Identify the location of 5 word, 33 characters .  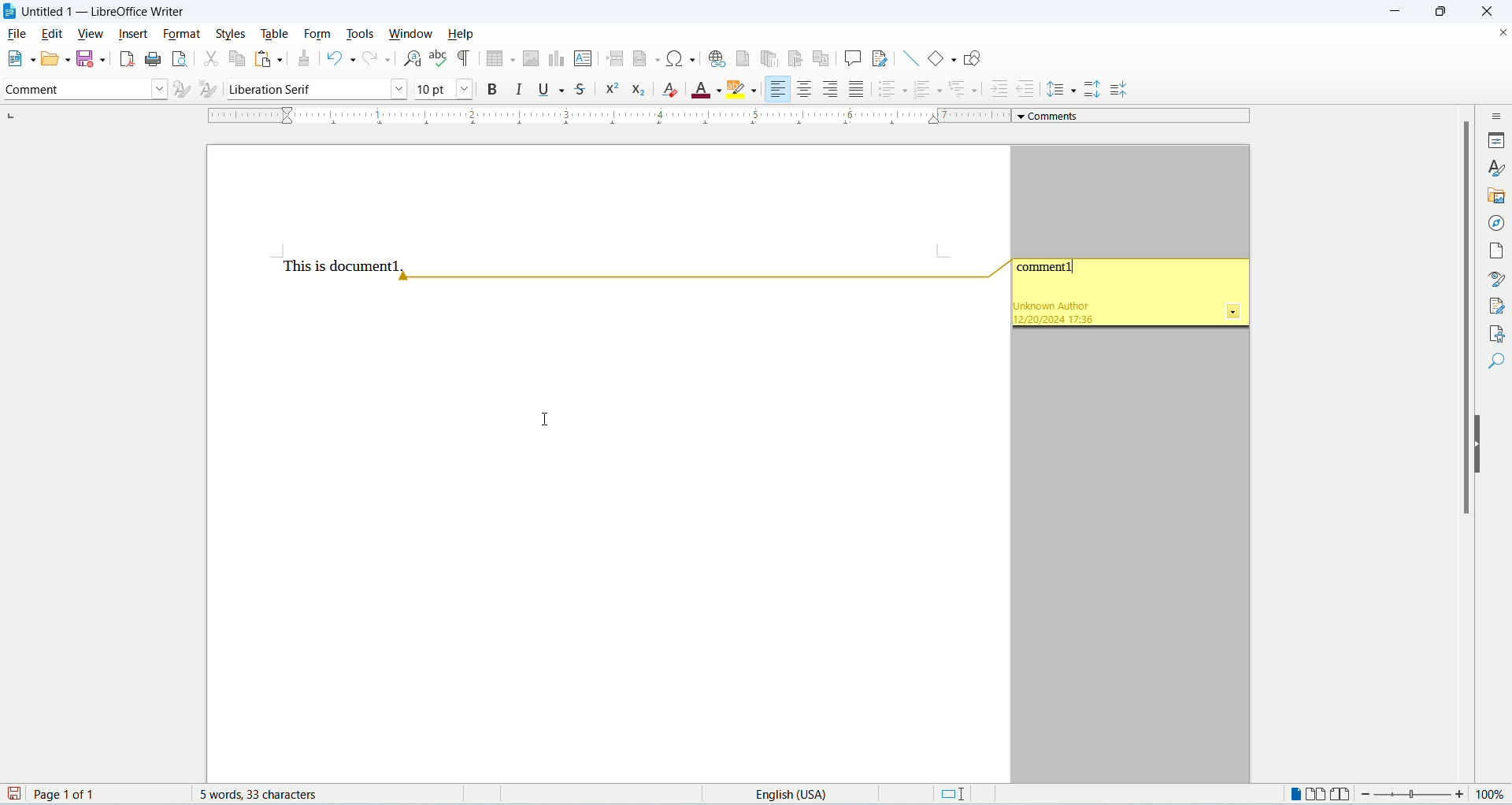
(267, 795).